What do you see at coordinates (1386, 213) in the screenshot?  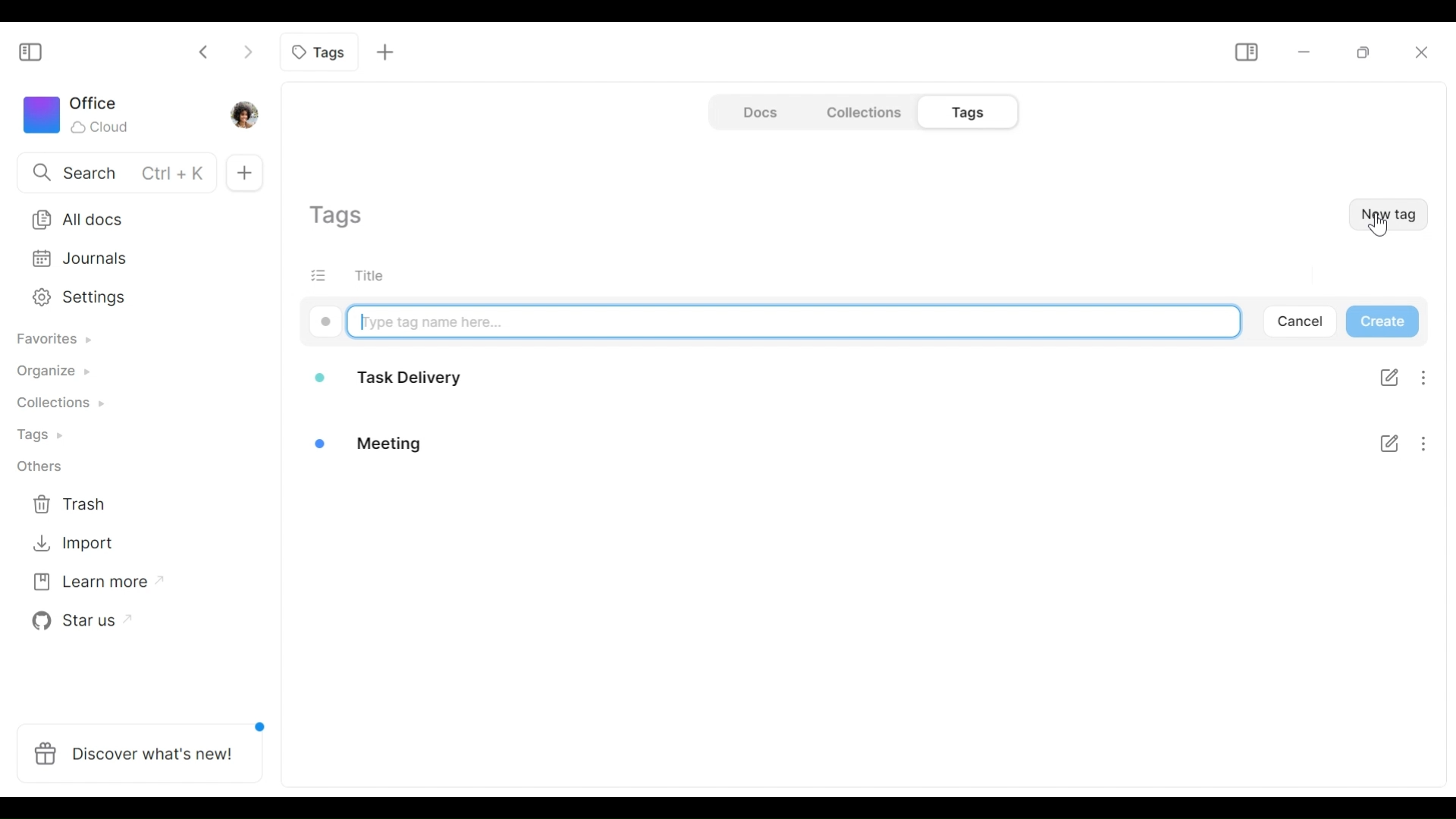 I see `New Tag` at bounding box center [1386, 213].